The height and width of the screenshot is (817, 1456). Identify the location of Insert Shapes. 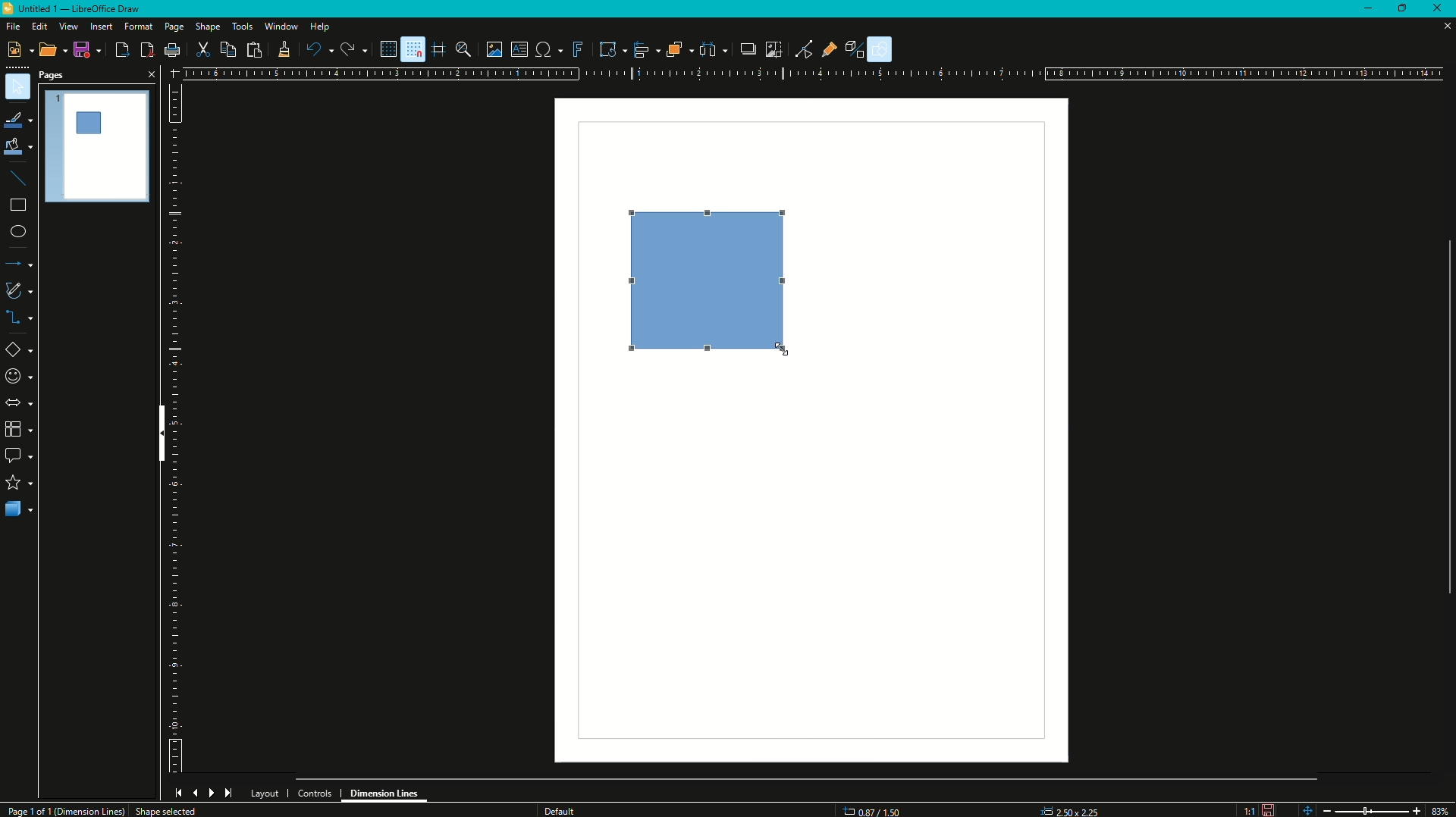
(20, 352).